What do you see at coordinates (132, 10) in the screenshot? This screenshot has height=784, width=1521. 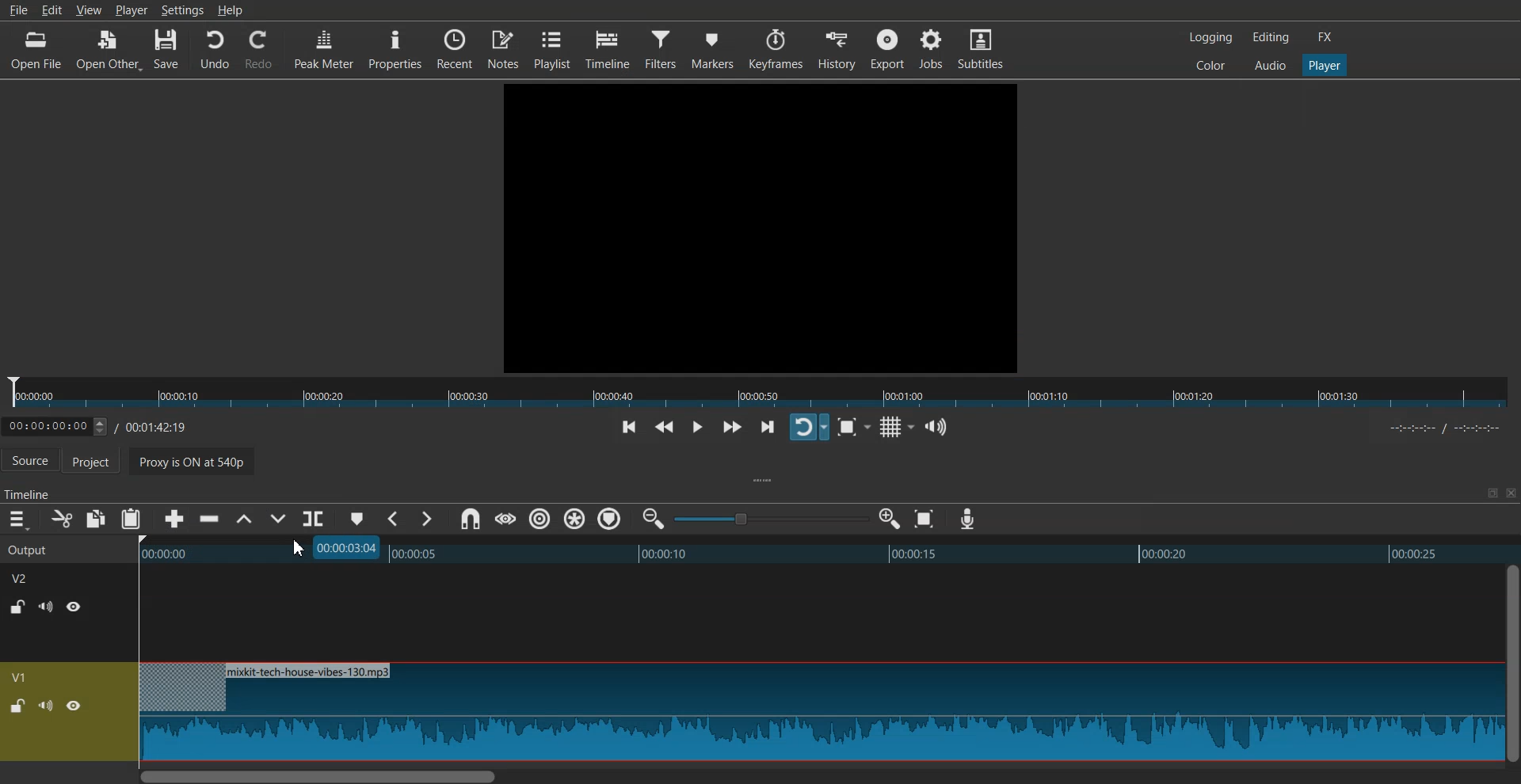 I see `Player` at bounding box center [132, 10].